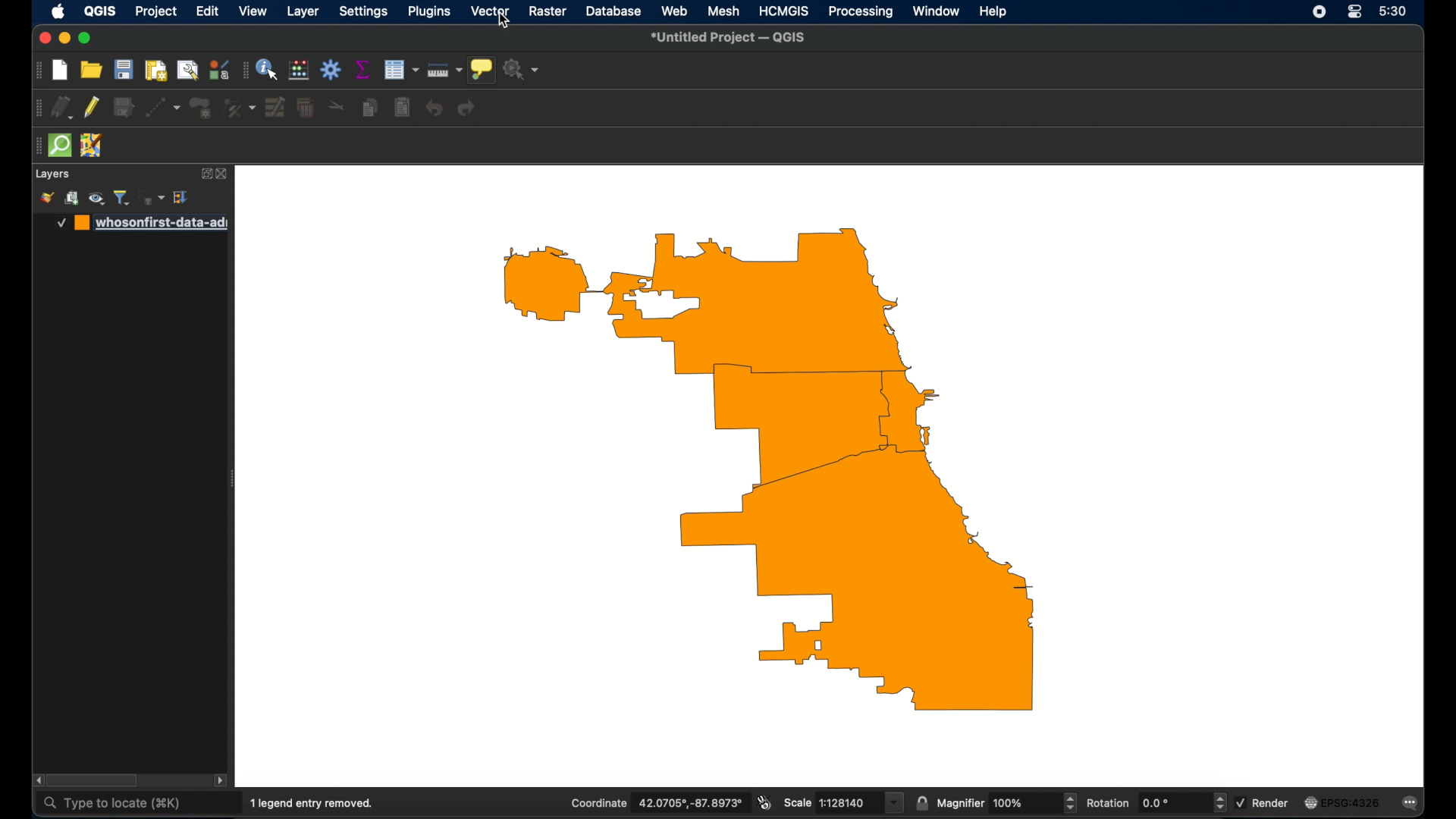 The image size is (1456, 819). I want to click on no action selected, so click(521, 69).